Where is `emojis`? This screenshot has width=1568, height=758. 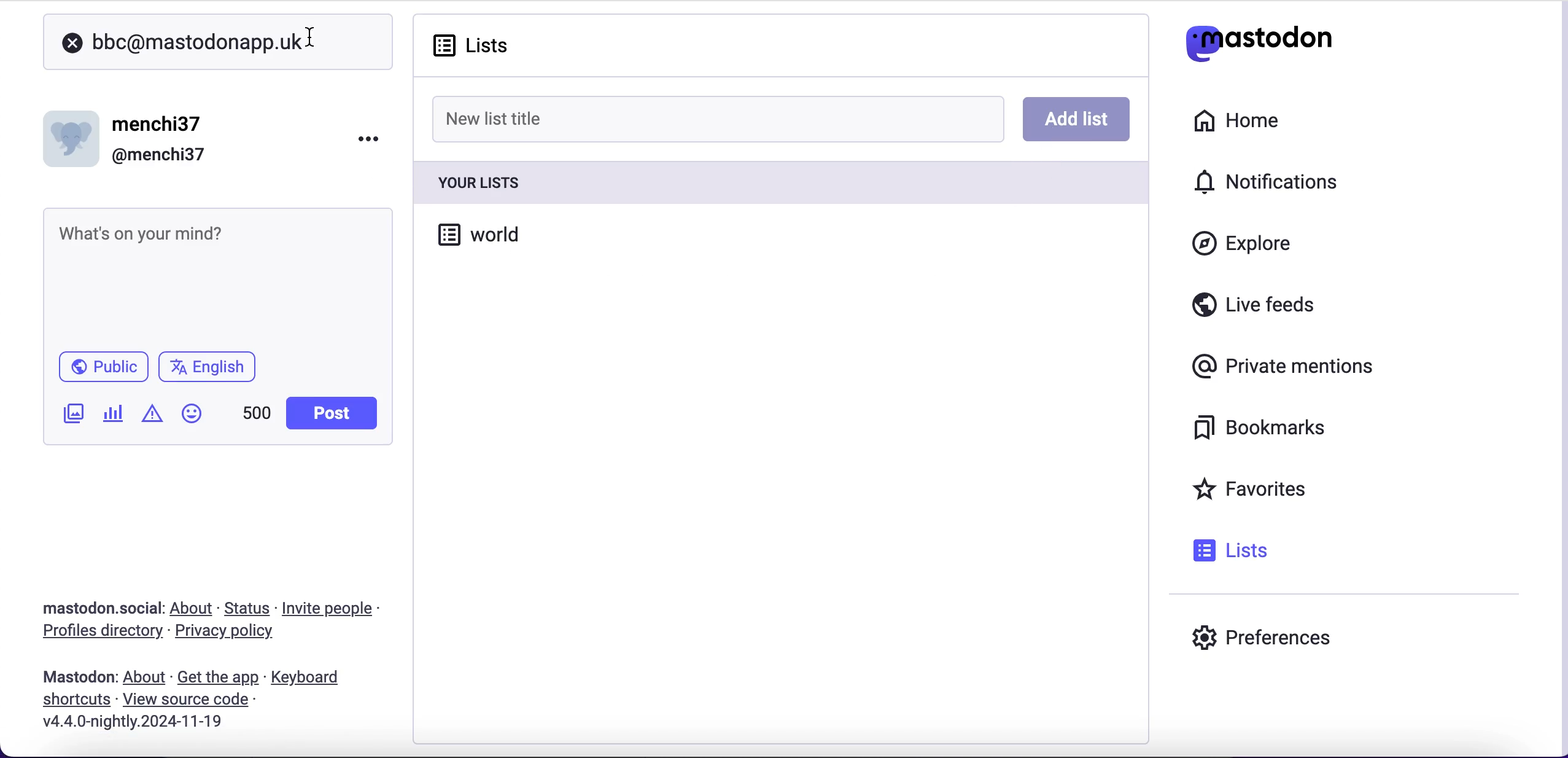 emojis is located at coordinates (197, 420).